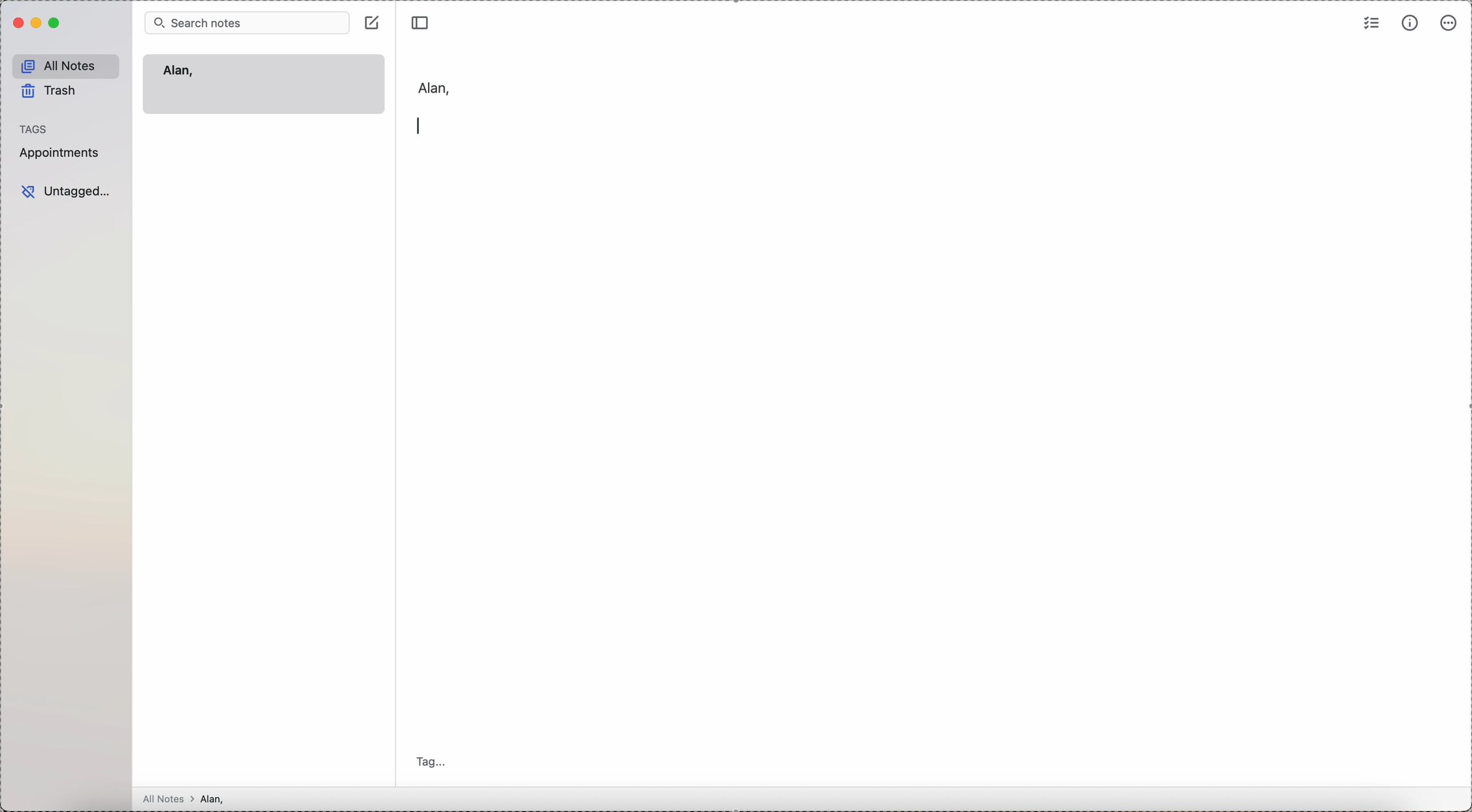 This screenshot has height=812, width=1472. Describe the element at coordinates (247, 22) in the screenshot. I see `search bar` at that location.